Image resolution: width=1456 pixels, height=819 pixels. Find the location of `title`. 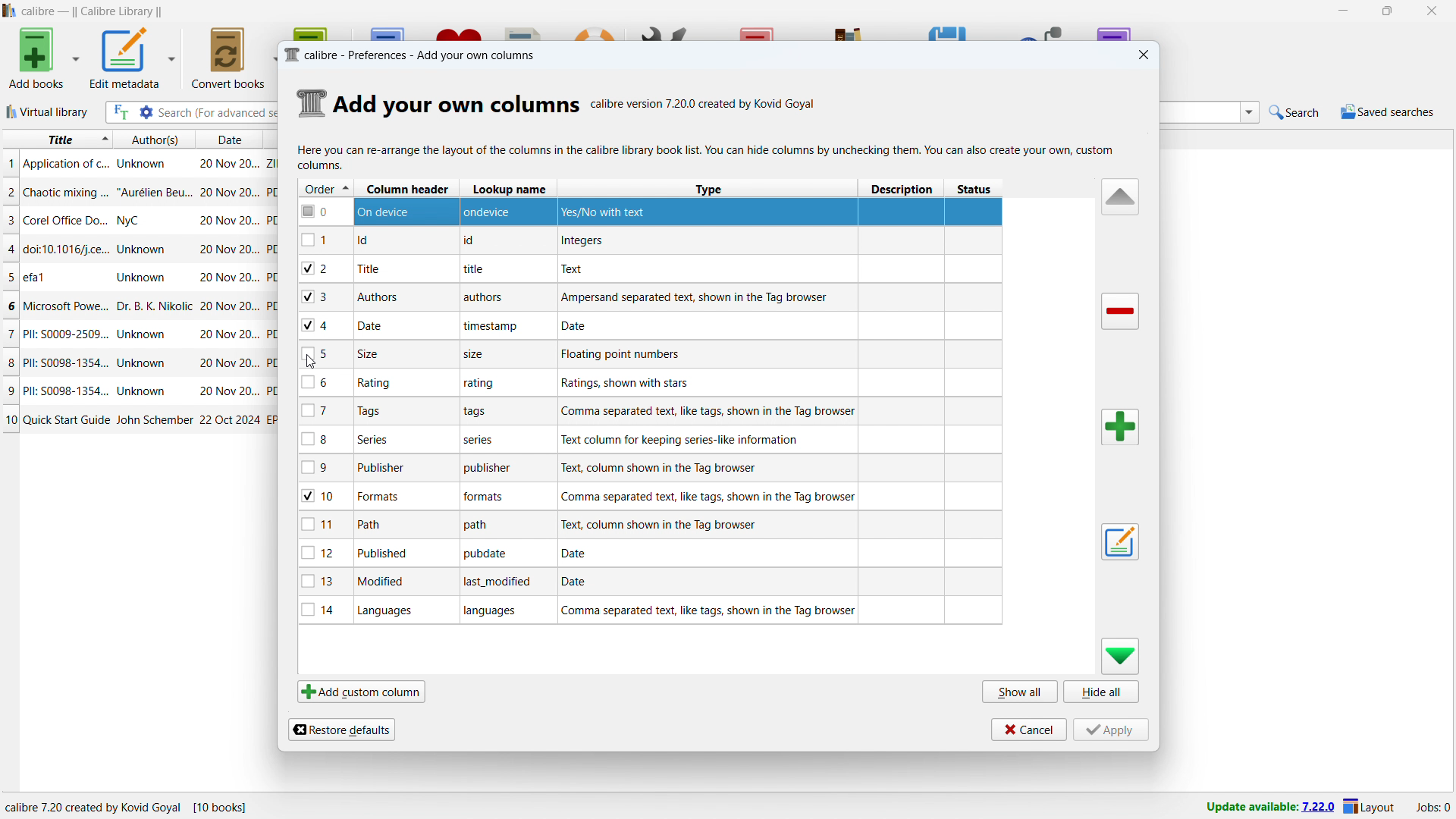

title is located at coordinates (476, 270).